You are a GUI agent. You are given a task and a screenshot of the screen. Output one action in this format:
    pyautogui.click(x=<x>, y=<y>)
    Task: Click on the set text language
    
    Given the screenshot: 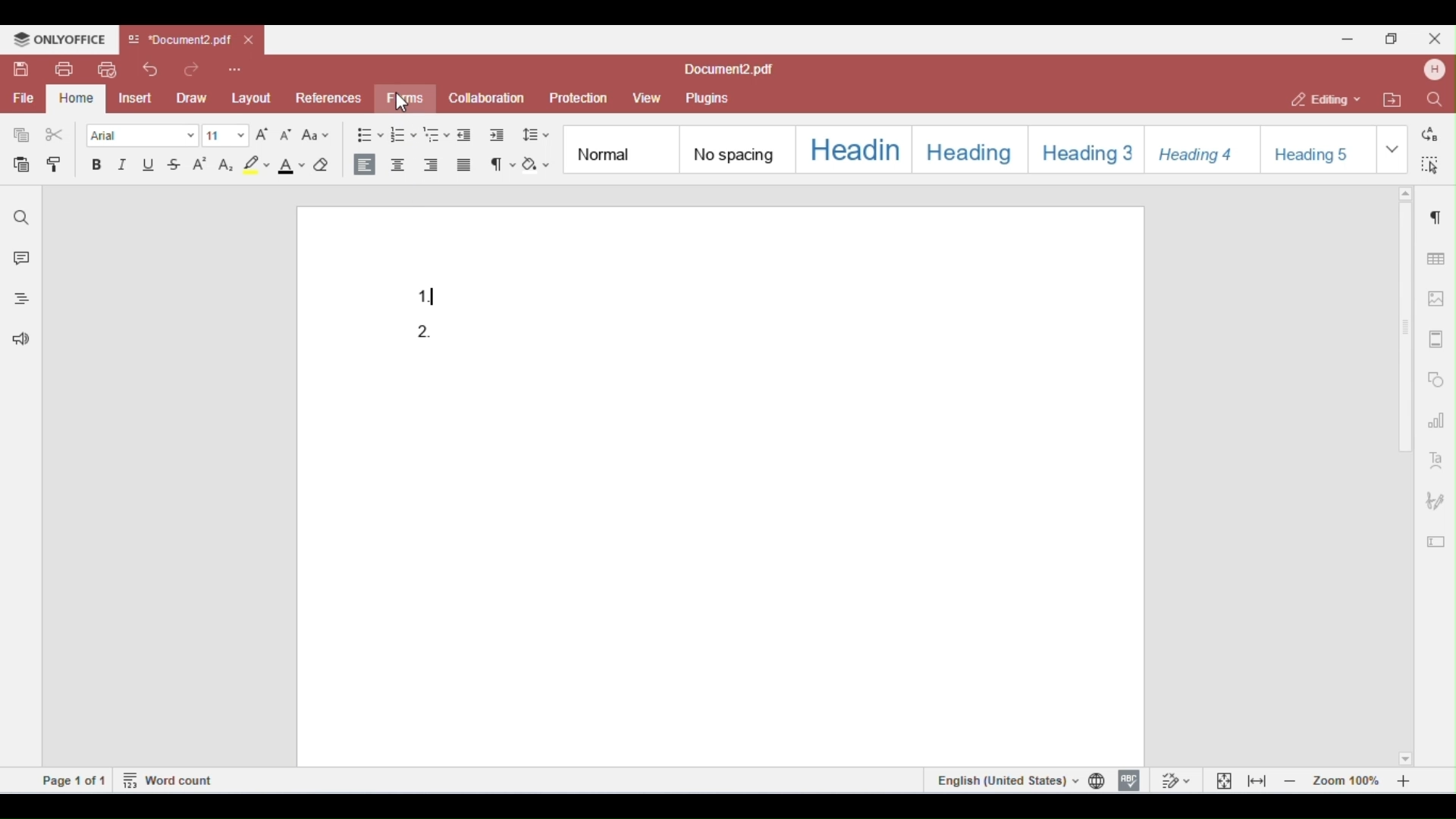 What is the action you would take?
    pyautogui.click(x=1005, y=780)
    